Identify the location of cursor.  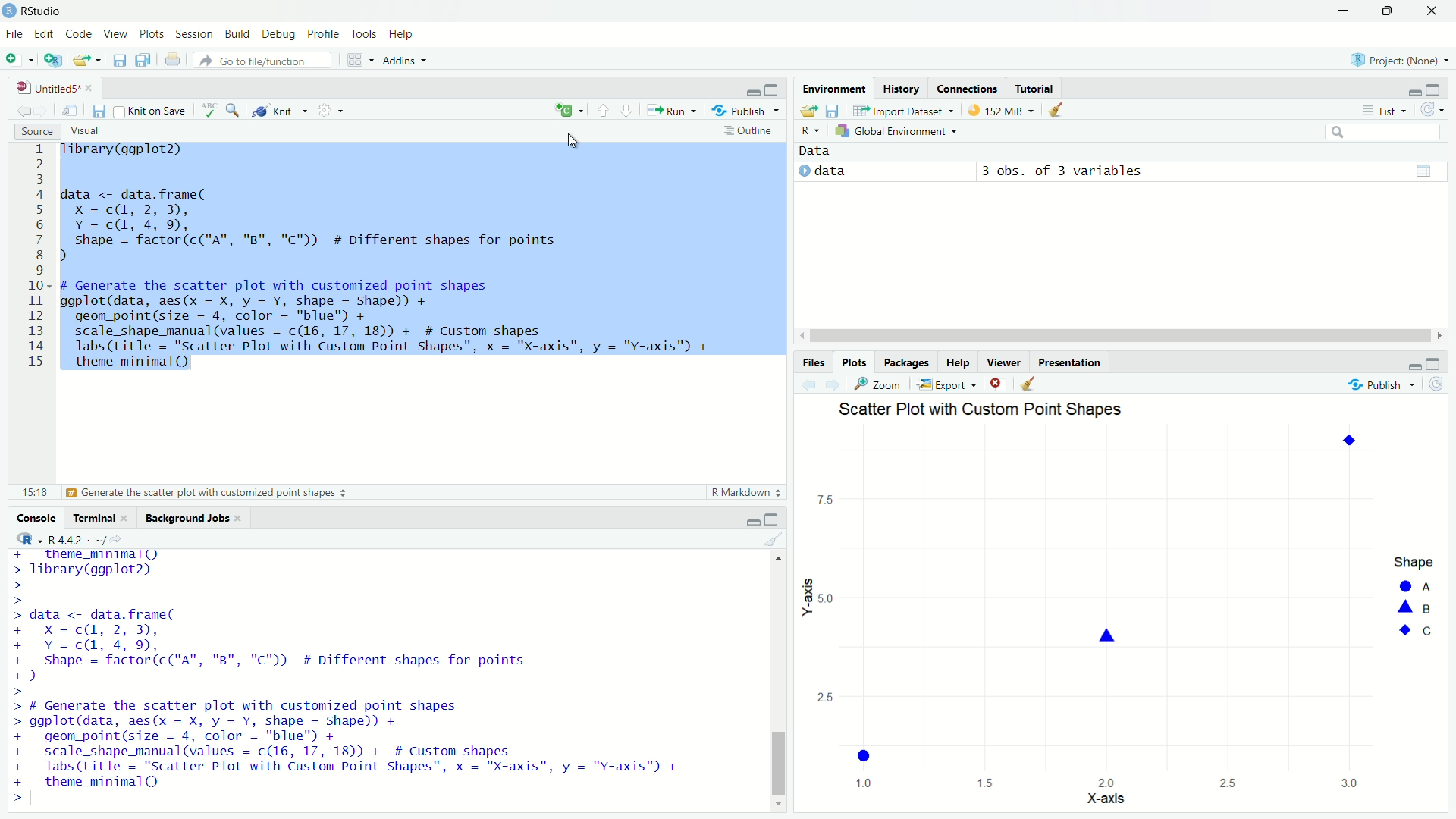
(574, 141).